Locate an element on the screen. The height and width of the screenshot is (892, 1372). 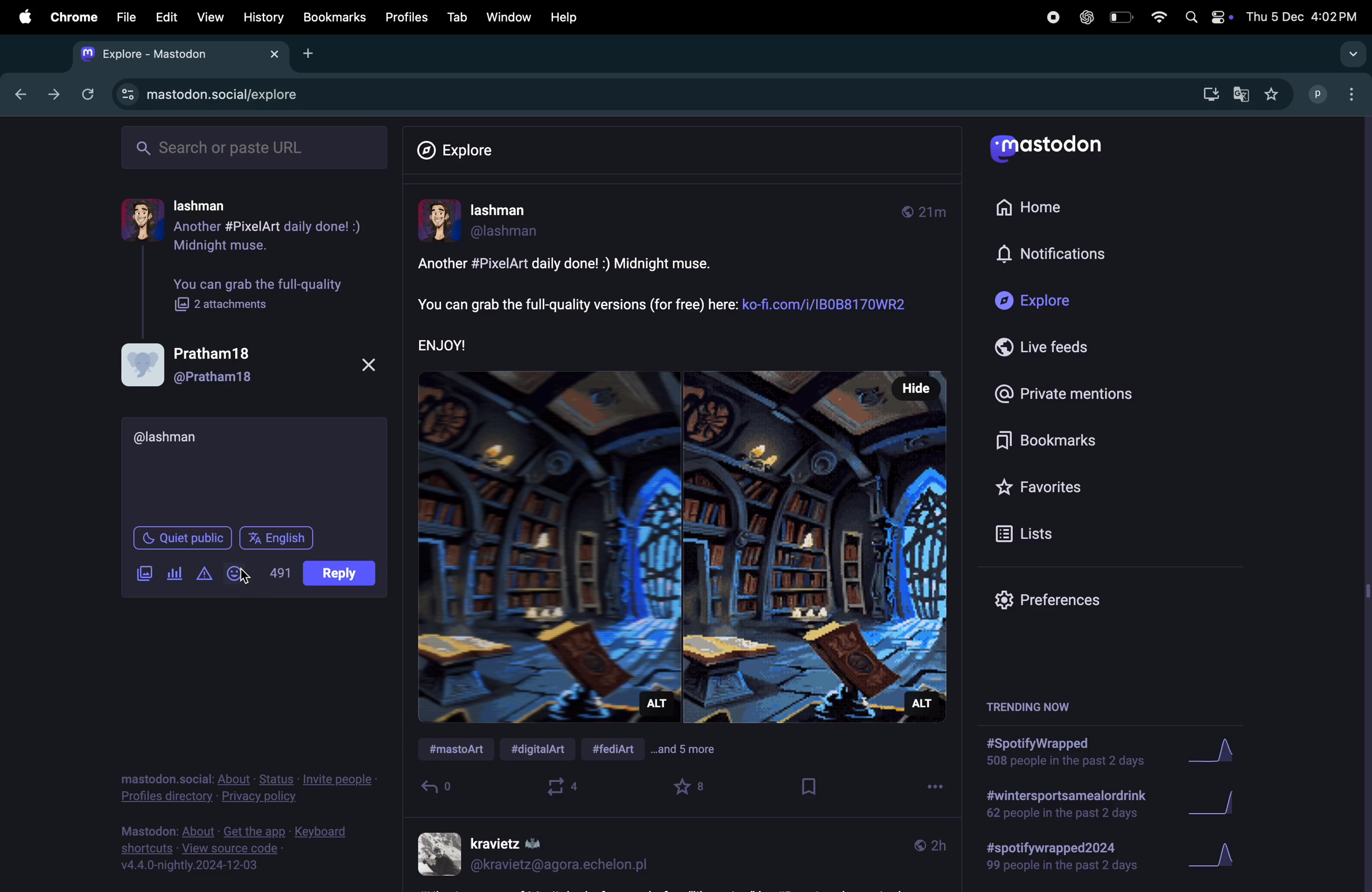
favourites is located at coordinates (1046, 485).